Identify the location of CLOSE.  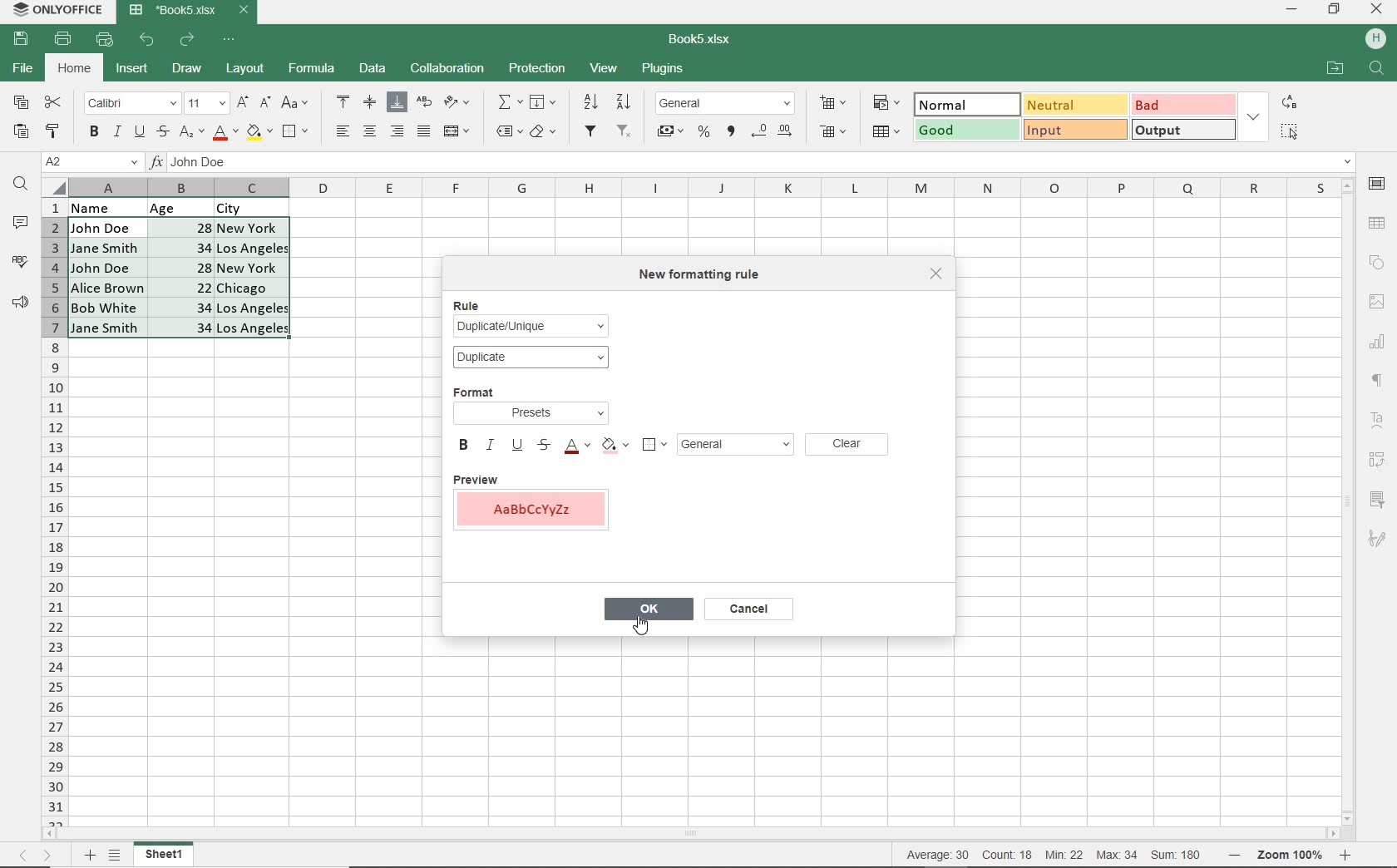
(936, 276).